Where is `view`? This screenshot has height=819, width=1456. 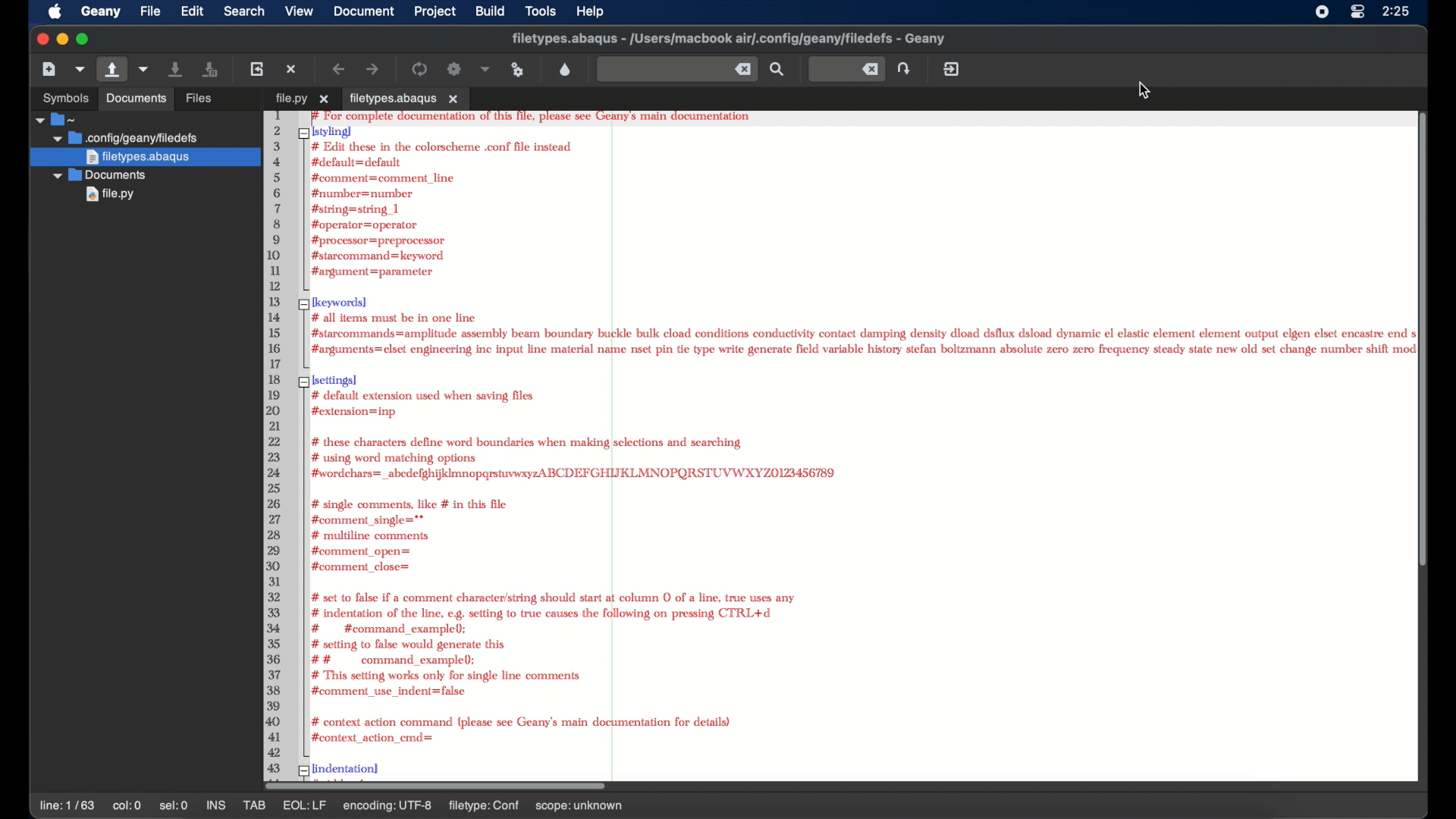
view is located at coordinates (300, 11).